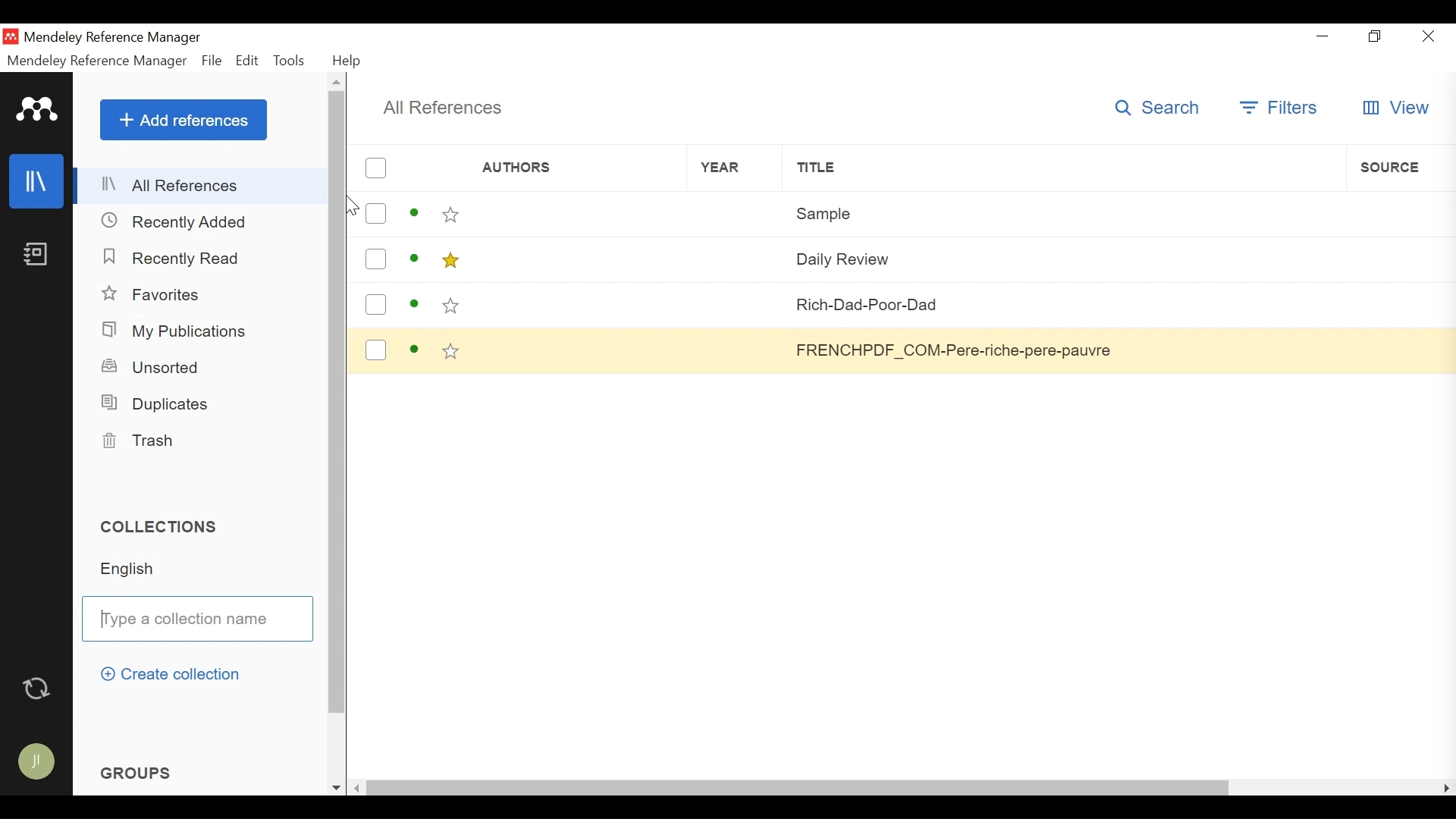 This screenshot has height=819, width=1456. I want to click on Recently Read, so click(172, 256).